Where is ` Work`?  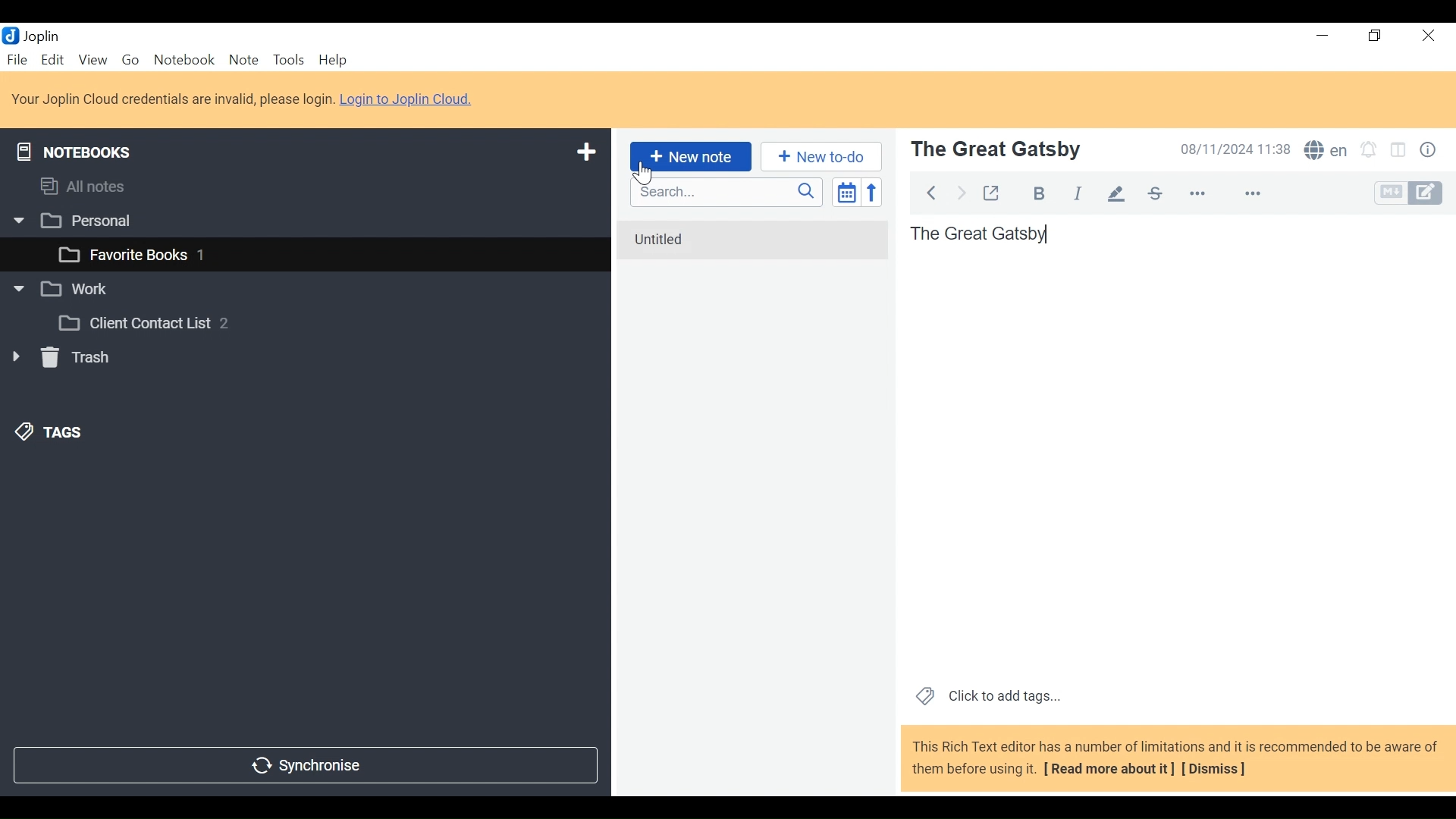
 Work is located at coordinates (60, 285).